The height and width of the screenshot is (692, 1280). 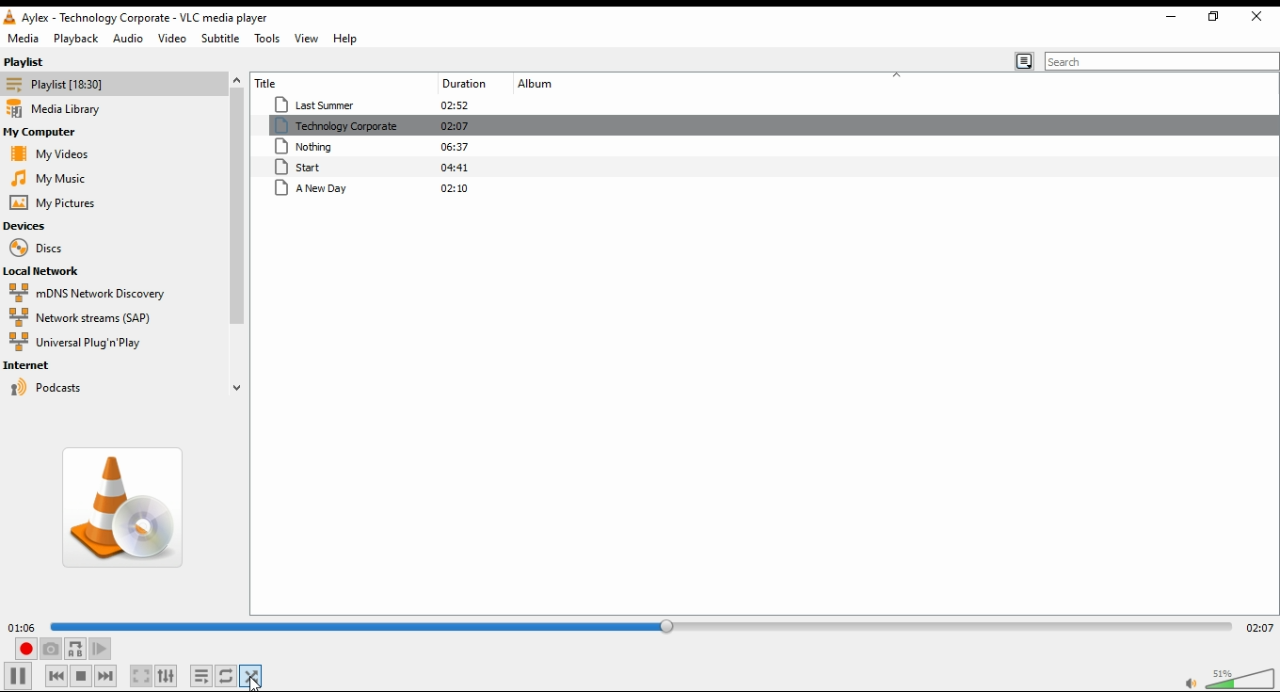 I want to click on duration, so click(x=465, y=82).